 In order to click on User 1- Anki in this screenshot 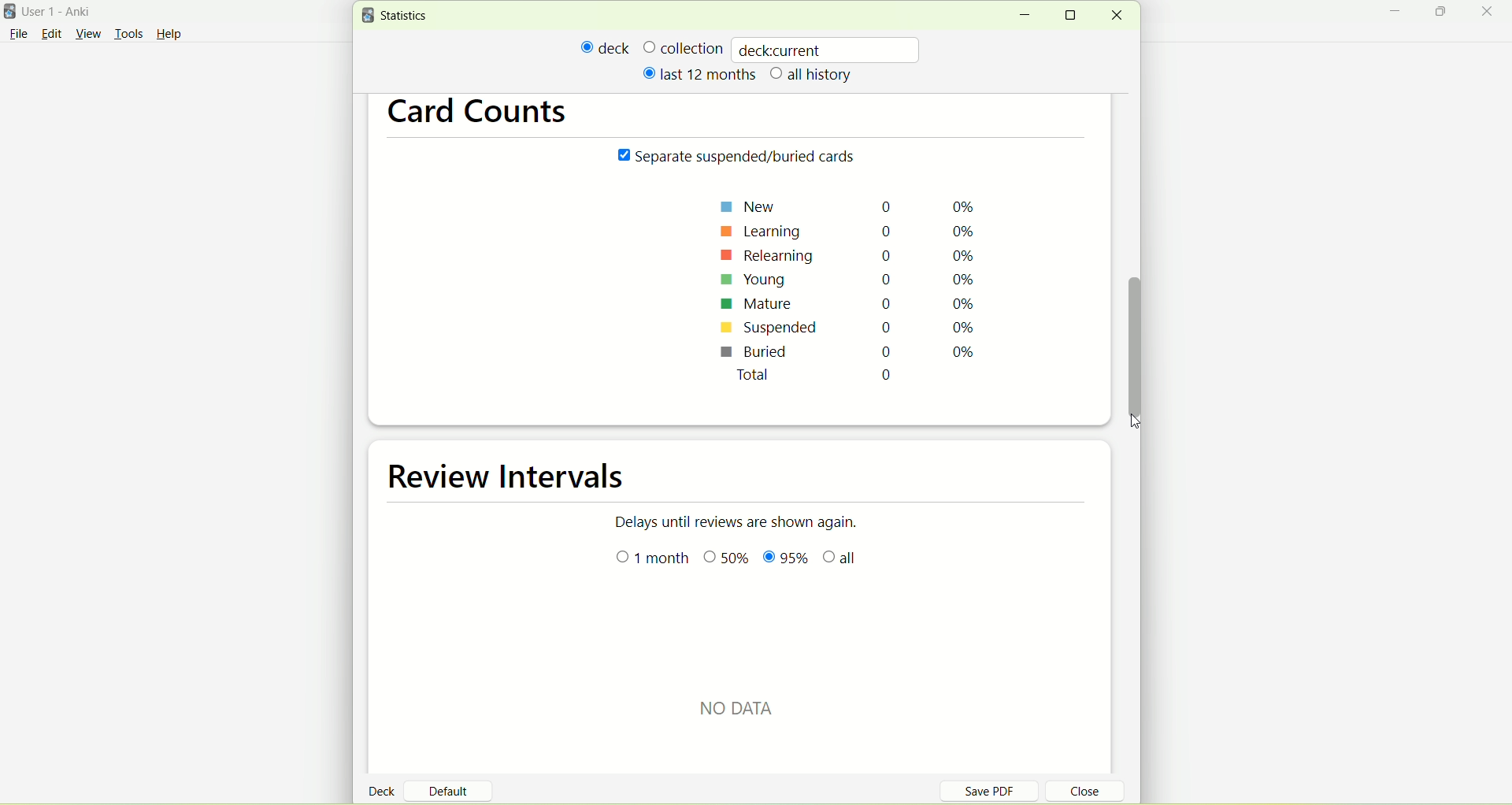, I will do `click(67, 14)`.